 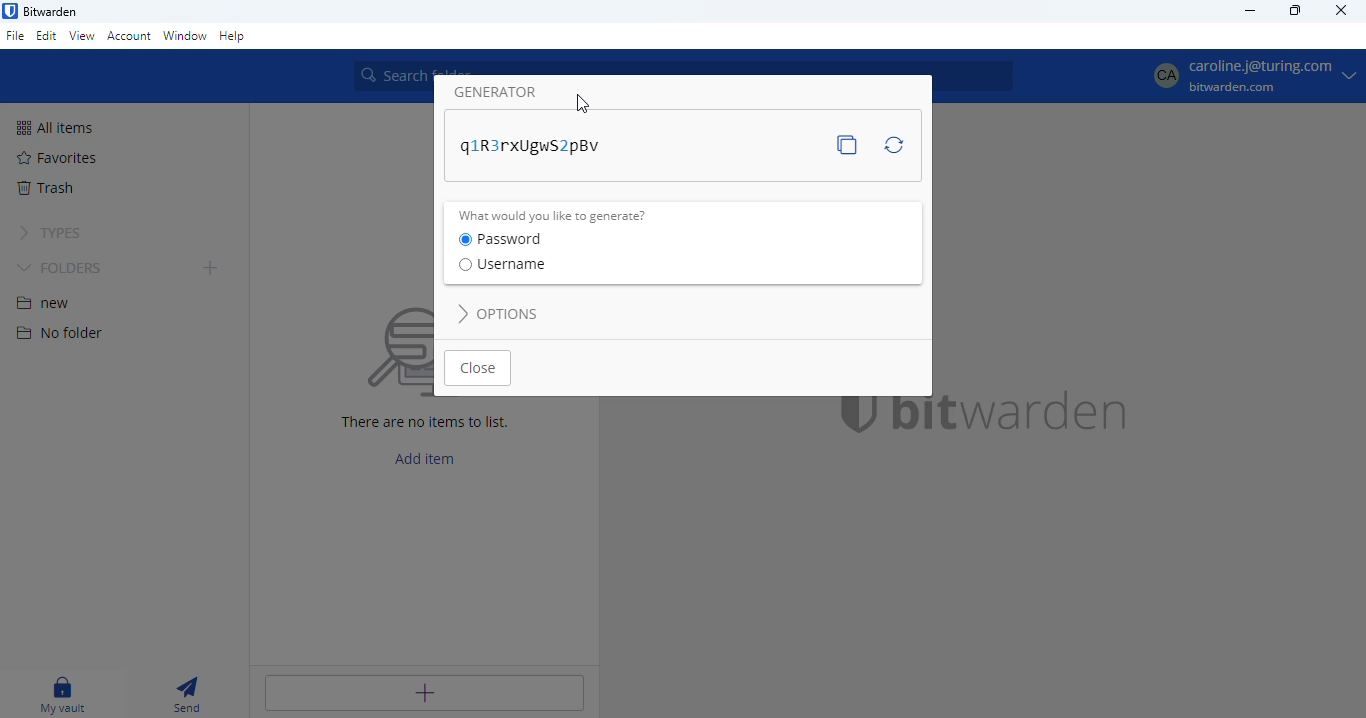 What do you see at coordinates (1253, 75) in the screenshot?
I see `profile` at bounding box center [1253, 75].